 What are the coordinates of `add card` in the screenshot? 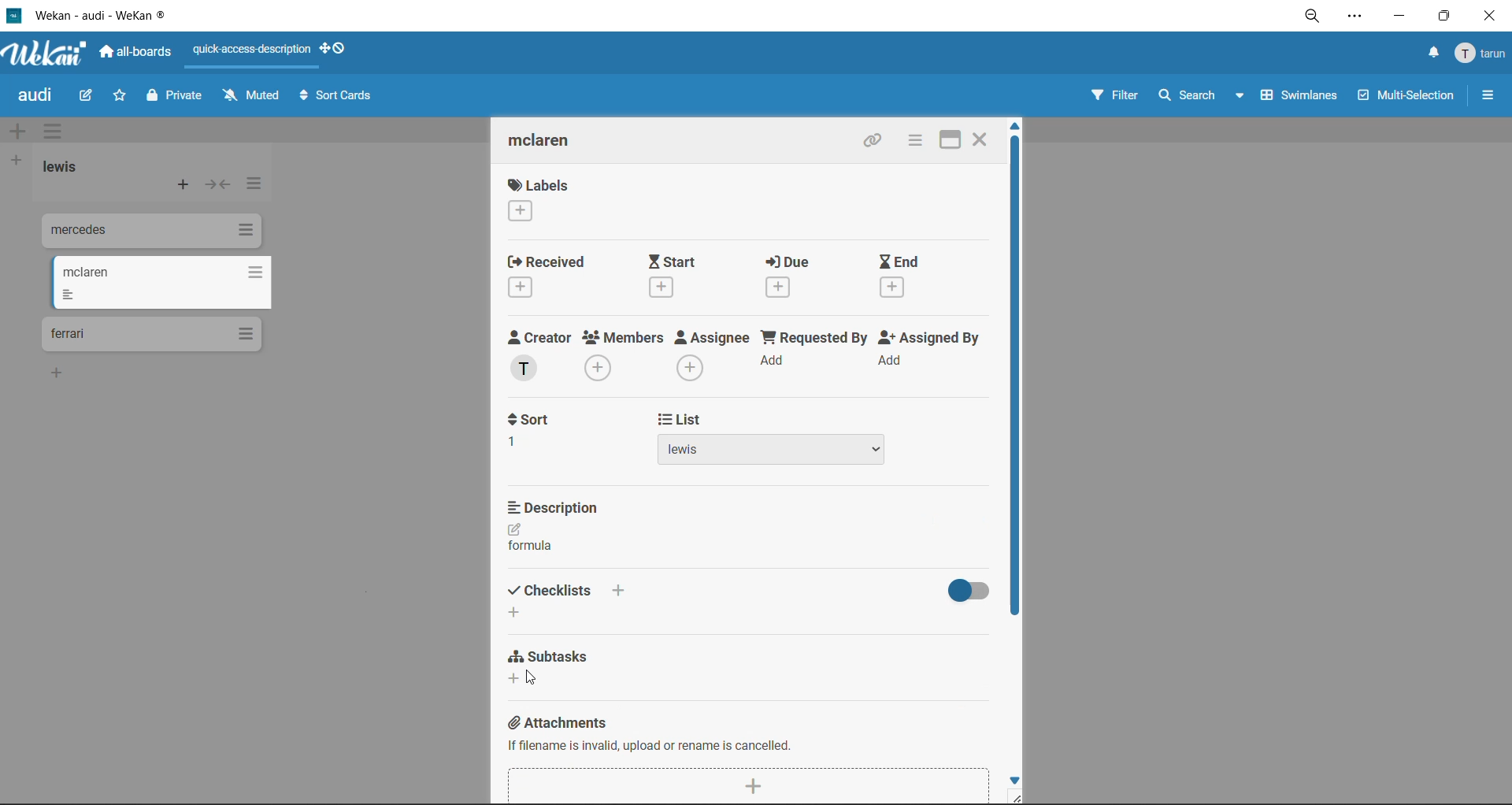 It's located at (184, 187).